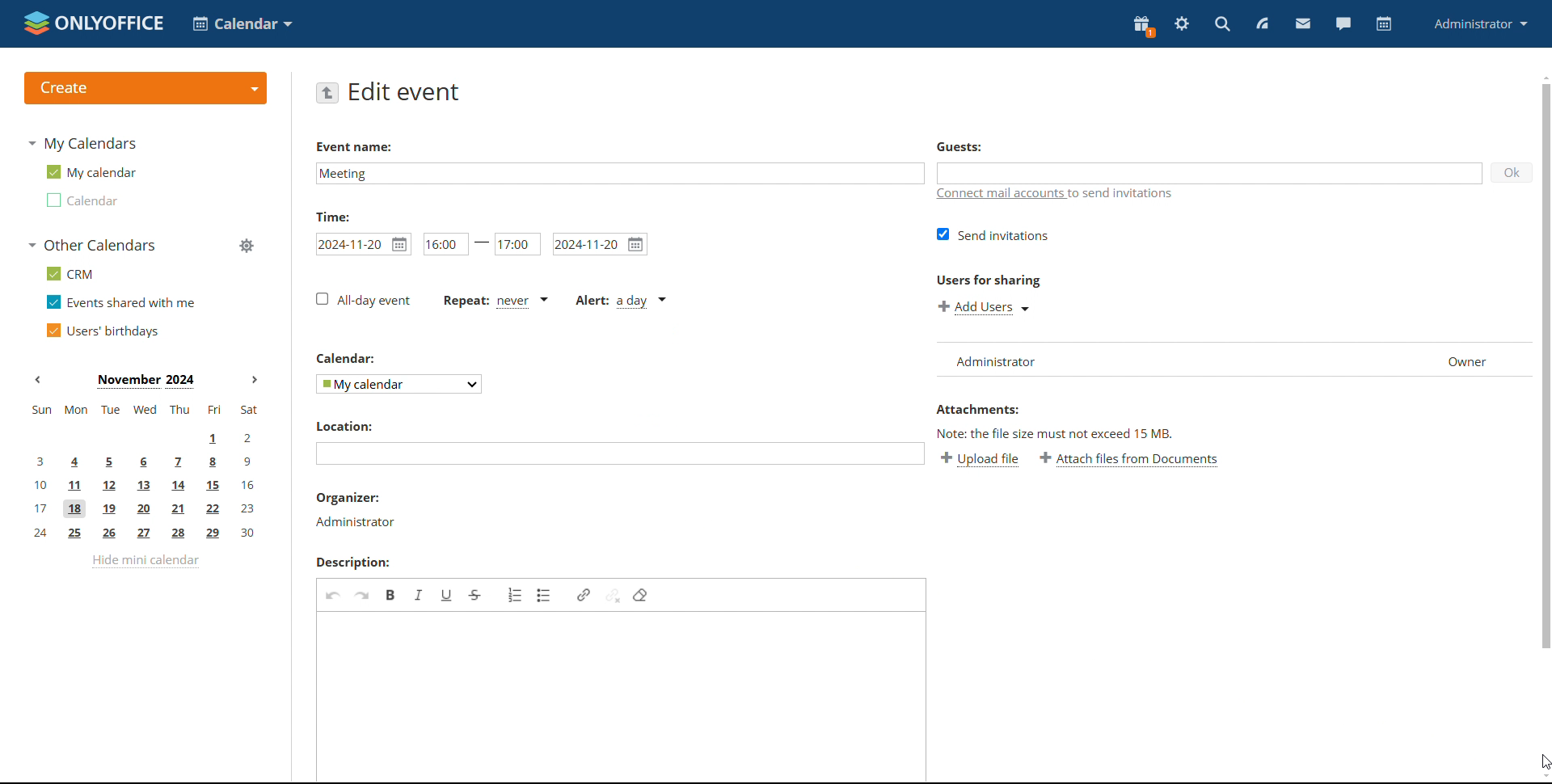 Image resolution: width=1552 pixels, height=784 pixels. Describe the element at coordinates (121, 301) in the screenshot. I see `events shared with me` at that location.